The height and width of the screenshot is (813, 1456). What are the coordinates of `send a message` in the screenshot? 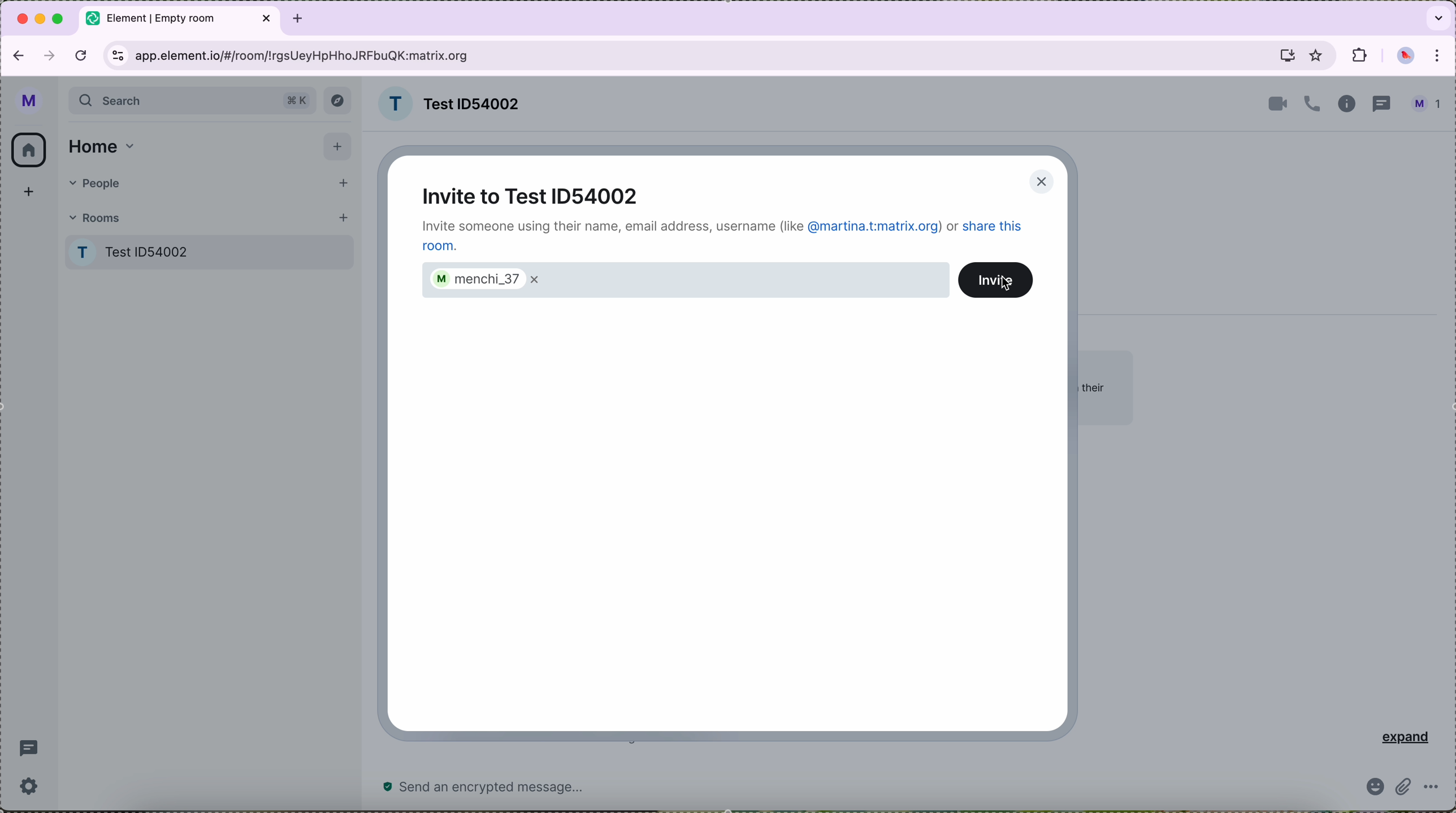 It's located at (537, 788).